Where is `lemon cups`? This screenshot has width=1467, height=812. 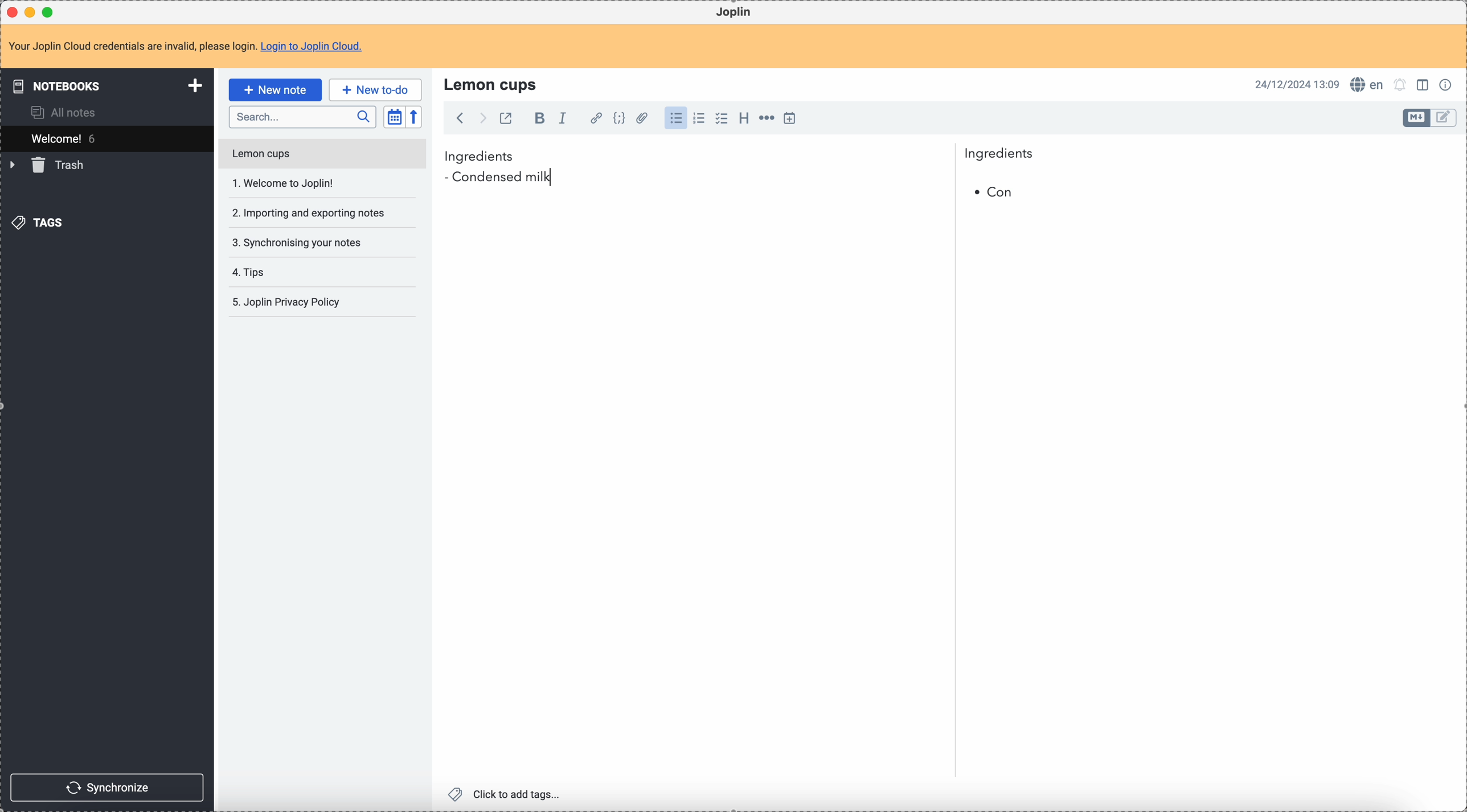
lemon cups is located at coordinates (321, 156).